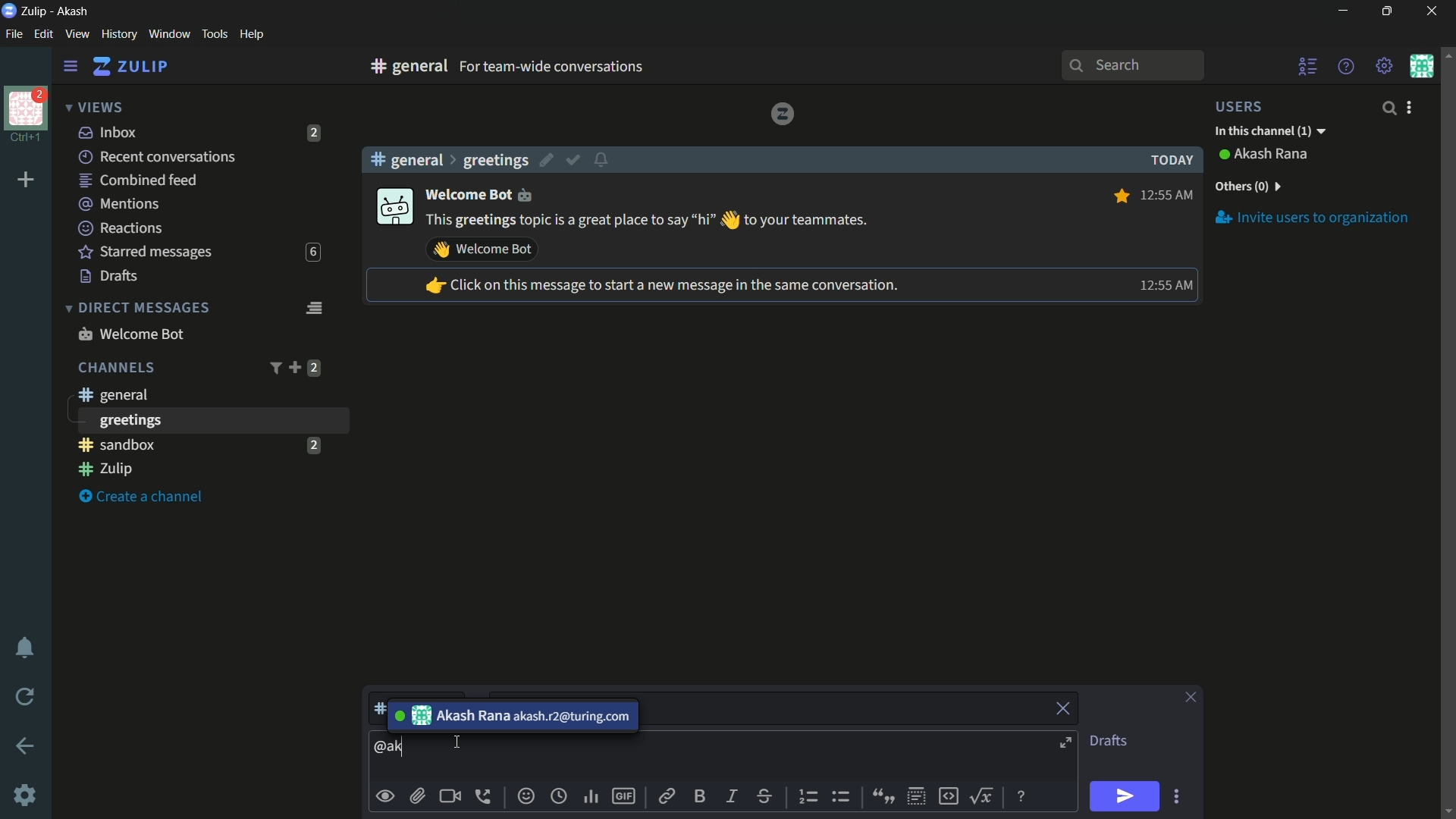  What do you see at coordinates (1447, 811) in the screenshot?
I see `scroll down` at bounding box center [1447, 811].